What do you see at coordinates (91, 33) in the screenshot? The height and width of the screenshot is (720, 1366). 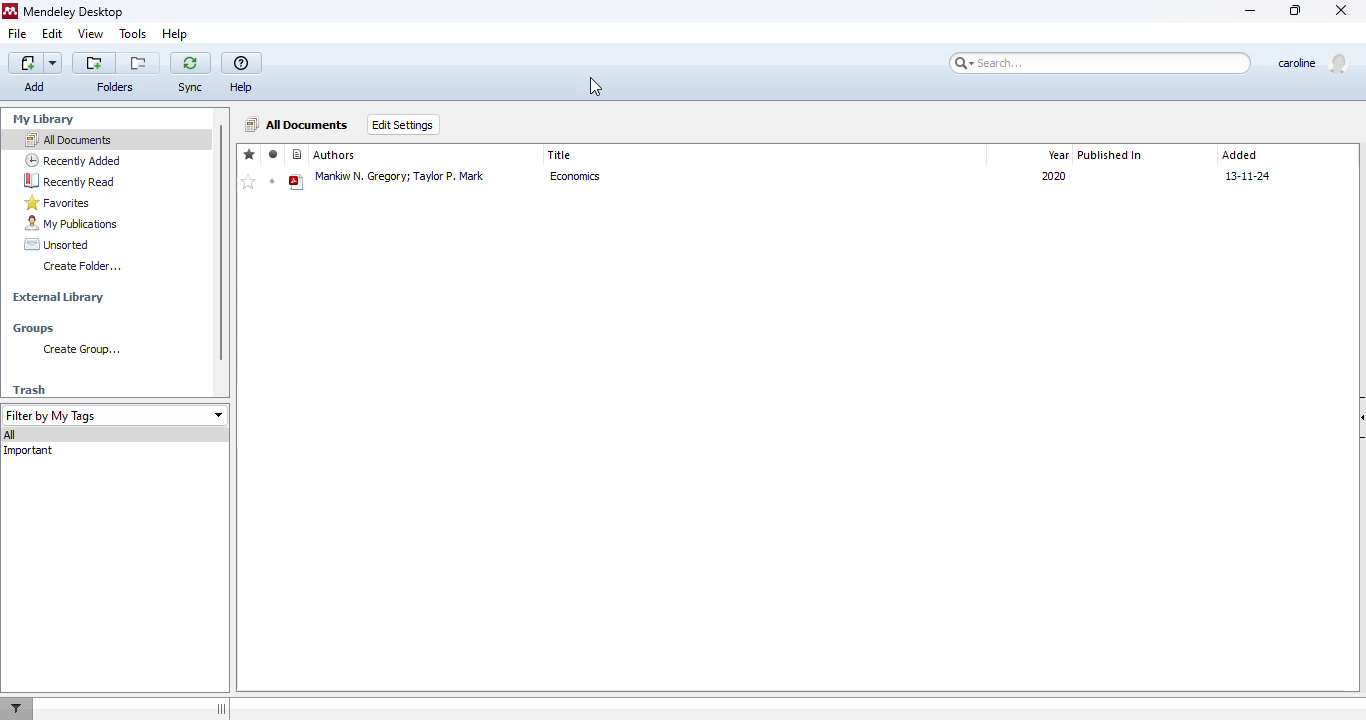 I see `view` at bounding box center [91, 33].